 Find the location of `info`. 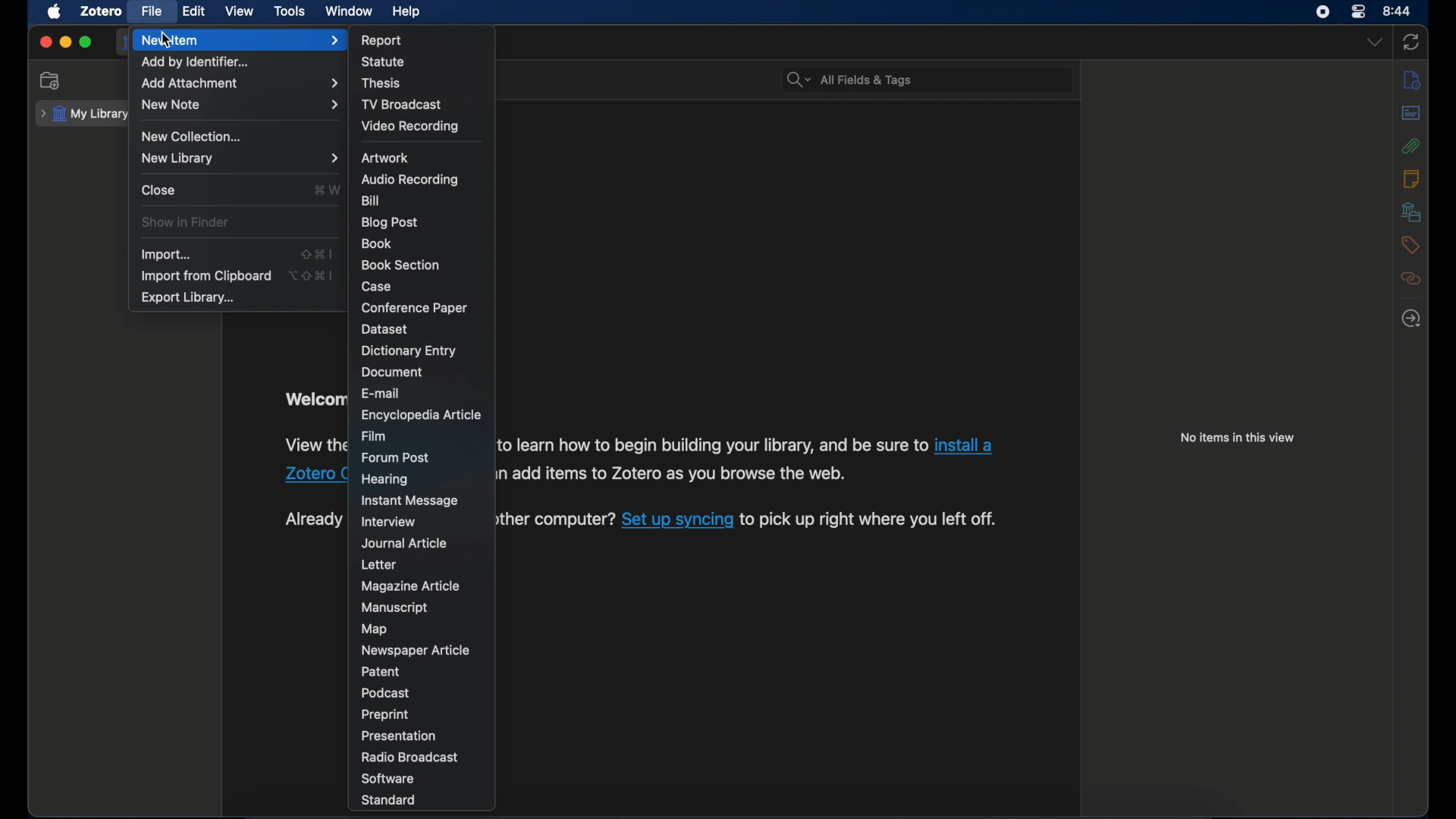

info is located at coordinates (1412, 81).